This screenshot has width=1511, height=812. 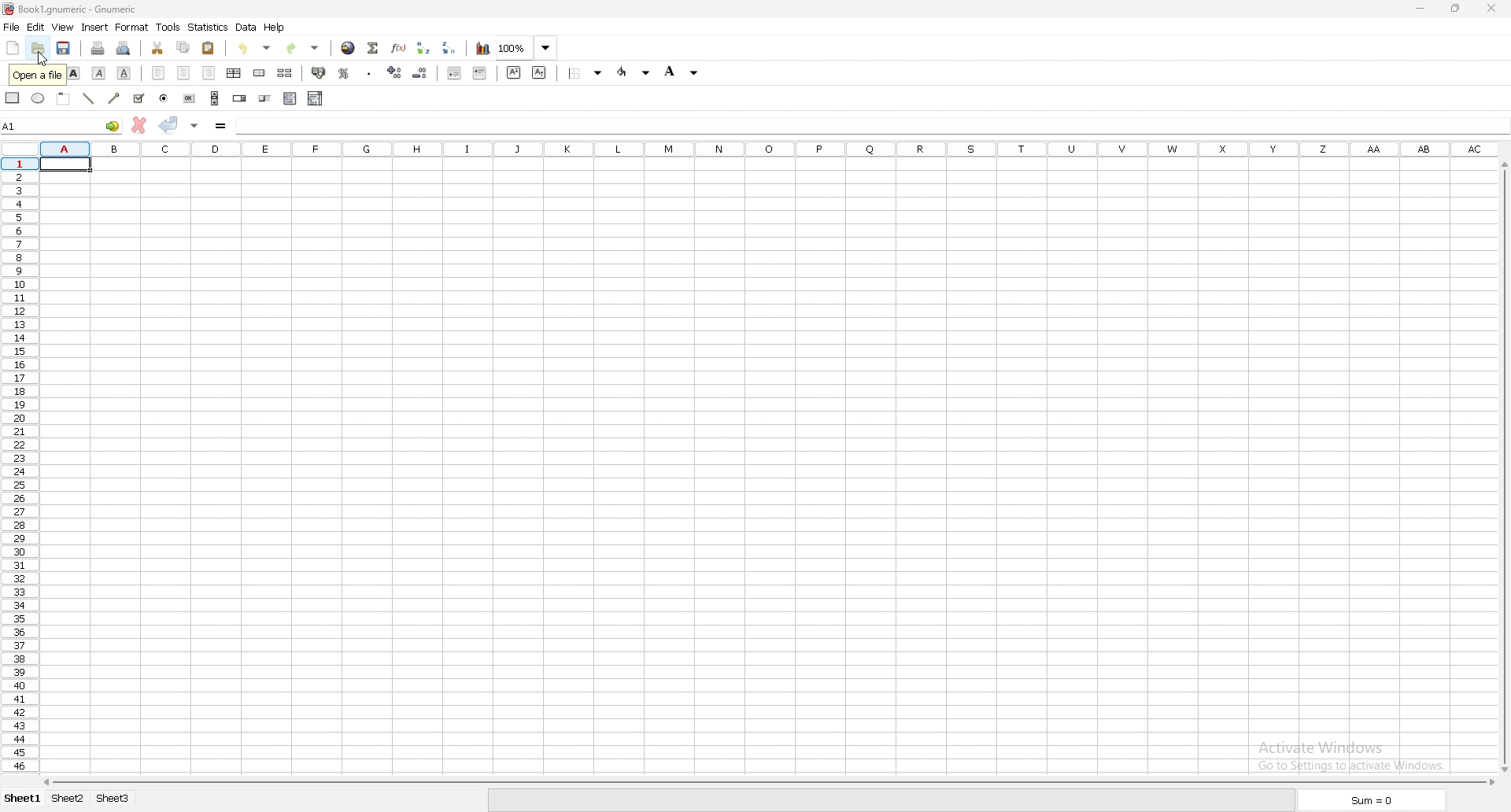 I want to click on edit, so click(x=35, y=27).